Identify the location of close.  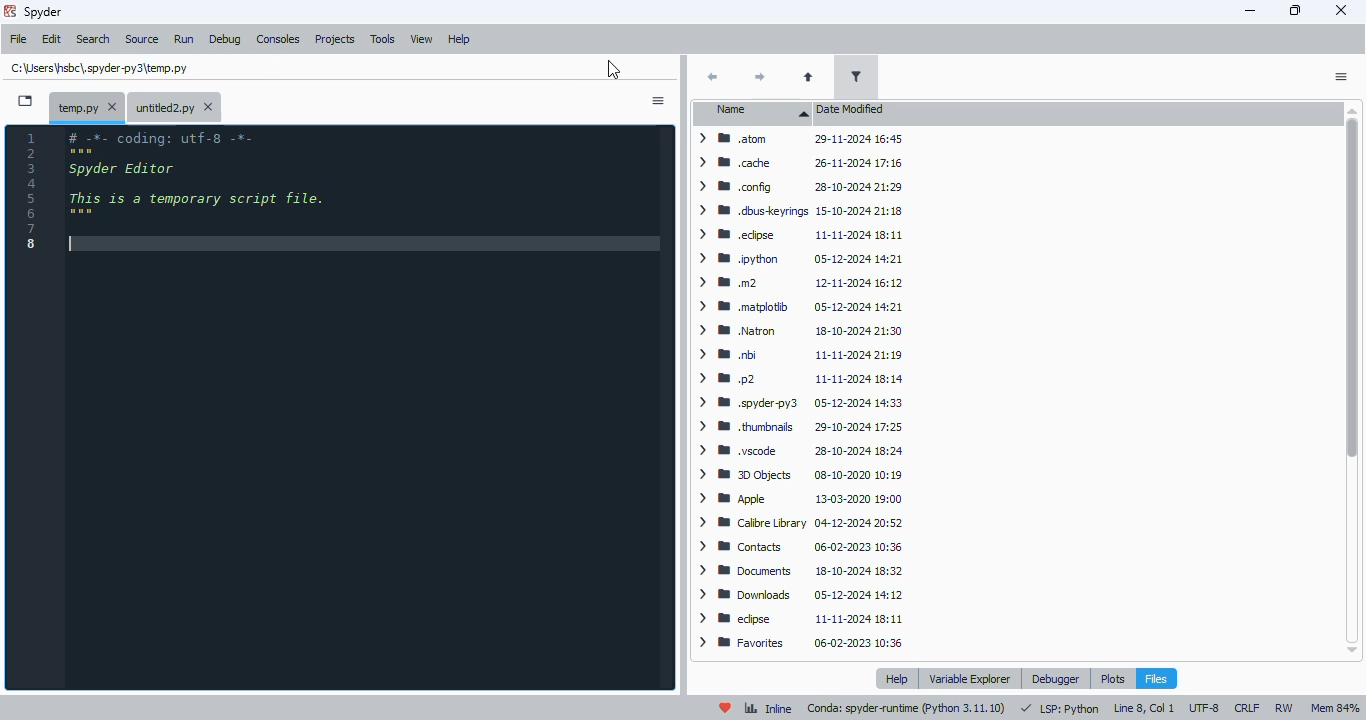
(113, 106).